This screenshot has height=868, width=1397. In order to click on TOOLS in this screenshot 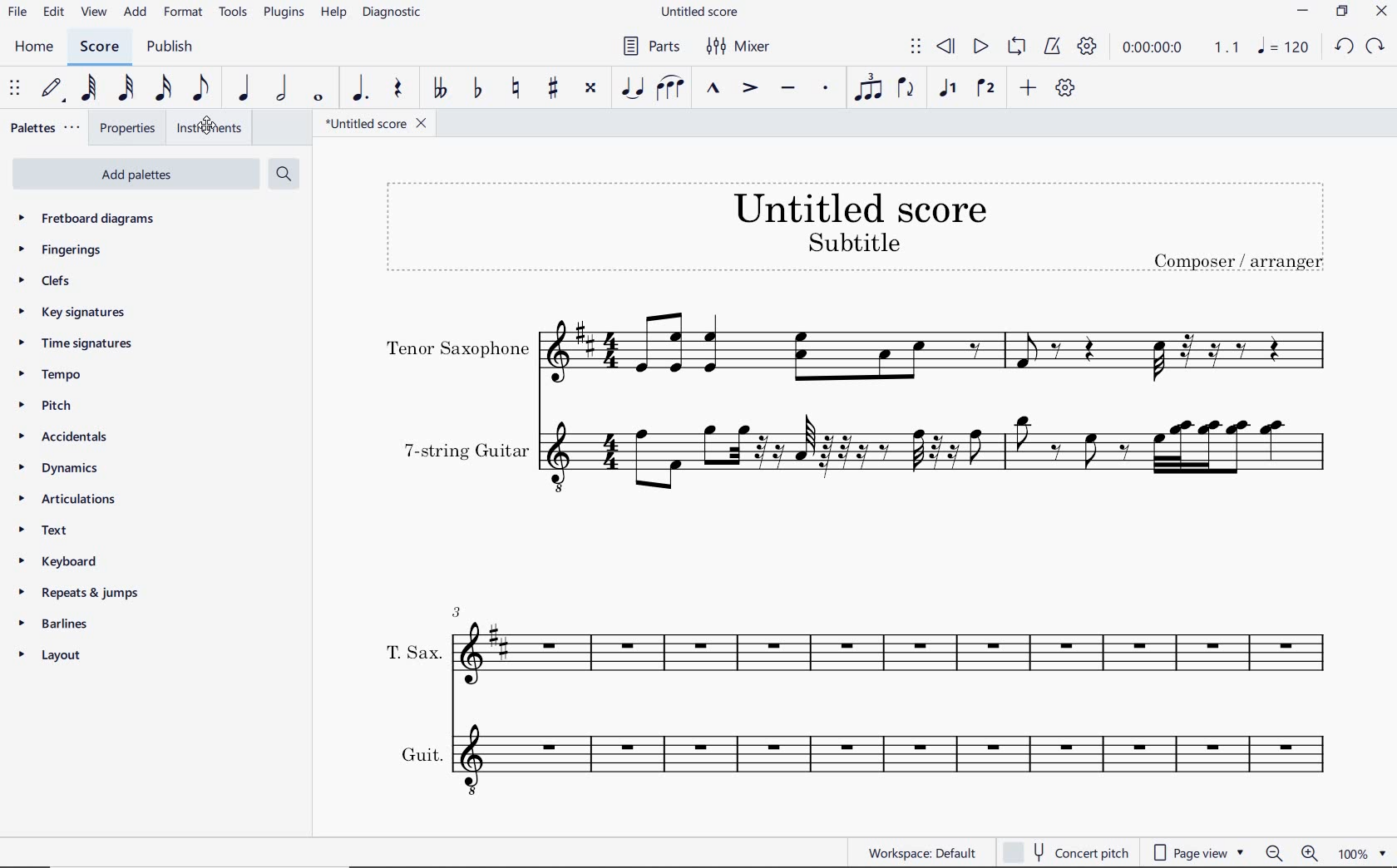, I will do `click(234, 11)`.